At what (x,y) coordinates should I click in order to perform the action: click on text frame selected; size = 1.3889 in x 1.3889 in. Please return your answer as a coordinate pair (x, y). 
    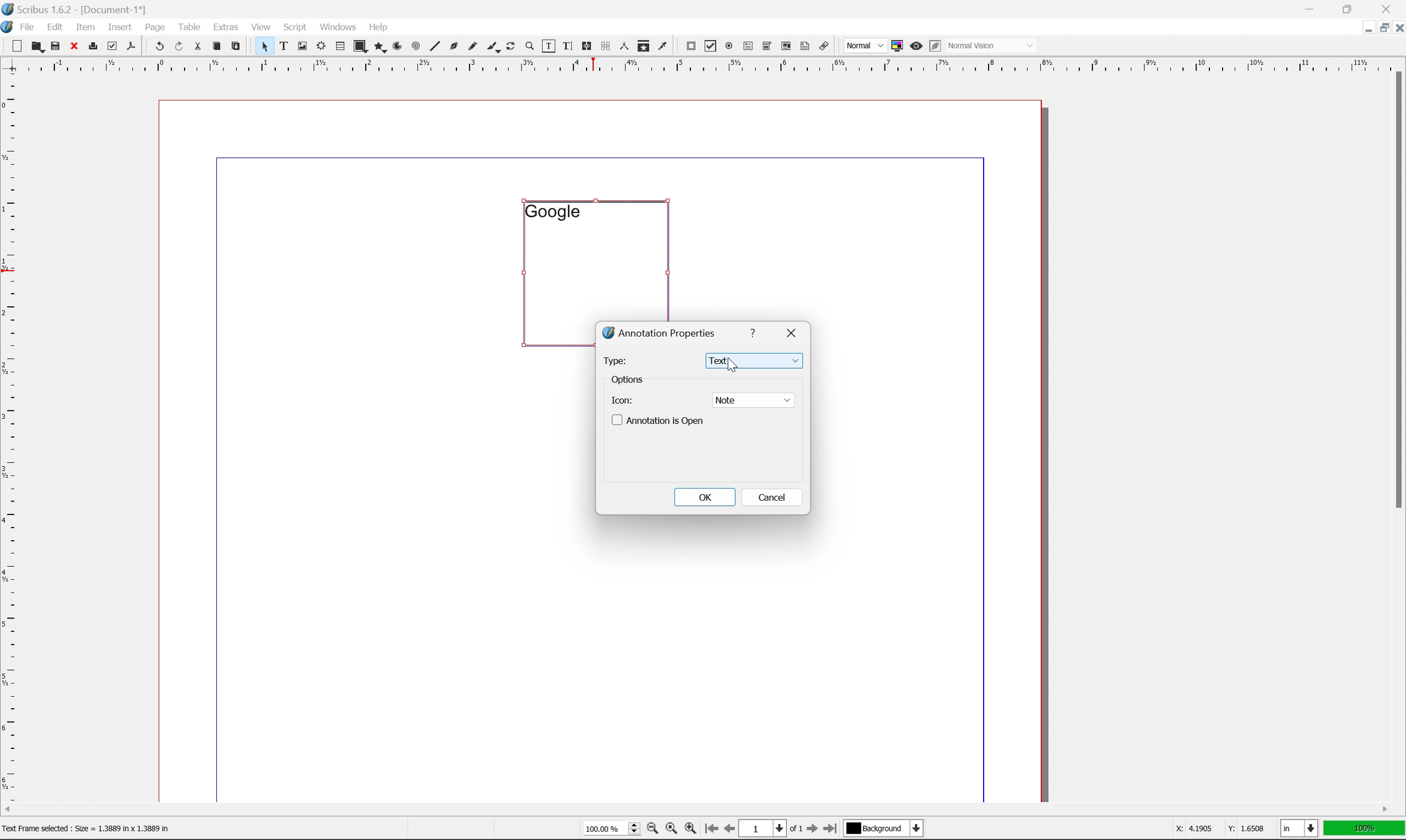
    Looking at the image, I should click on (96, 830).